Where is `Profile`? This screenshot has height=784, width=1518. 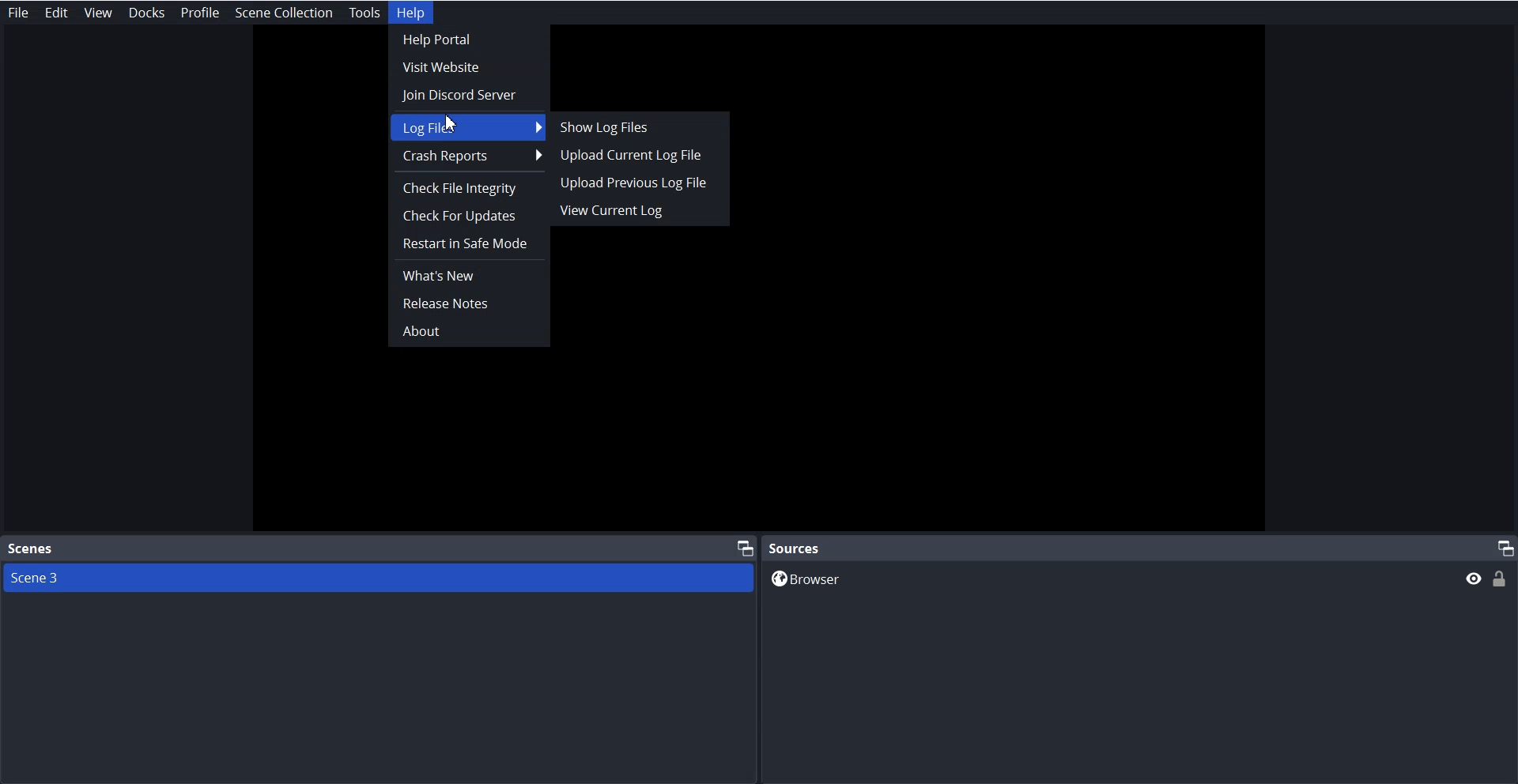 Profile is located at coordinates (198, 13).